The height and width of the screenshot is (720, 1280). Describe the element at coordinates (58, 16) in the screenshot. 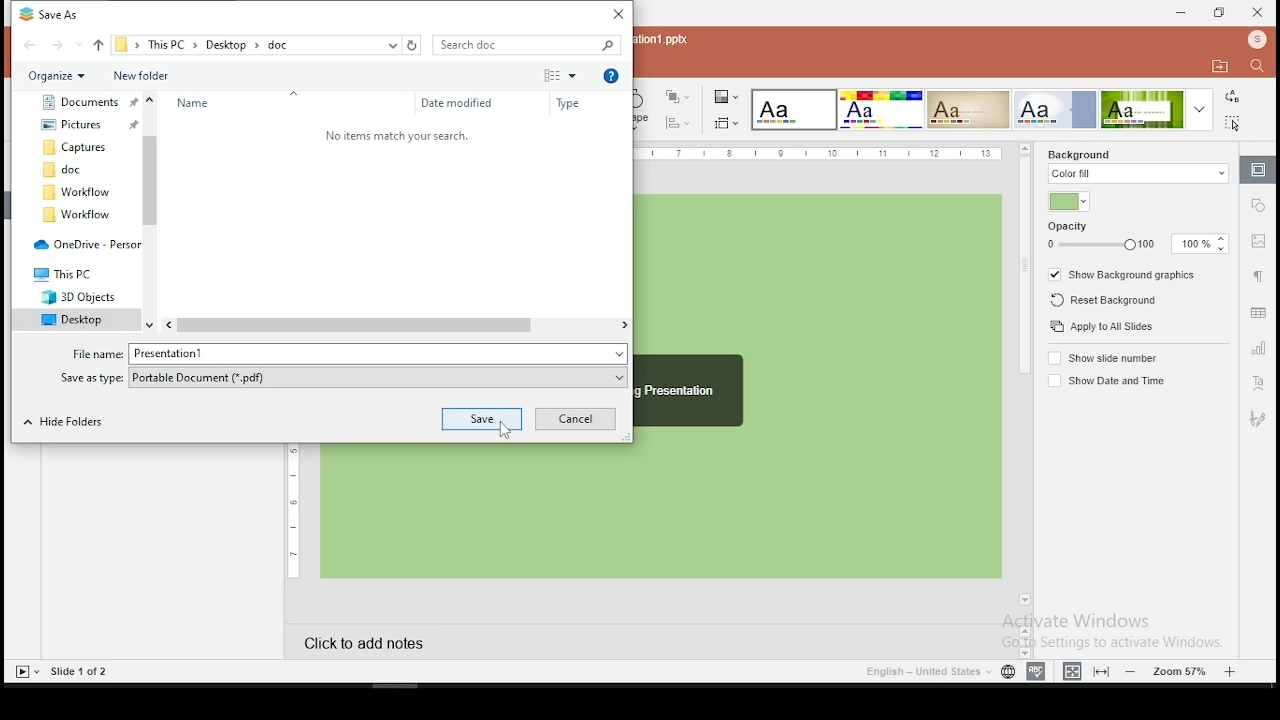

I see `Save As` at that location.